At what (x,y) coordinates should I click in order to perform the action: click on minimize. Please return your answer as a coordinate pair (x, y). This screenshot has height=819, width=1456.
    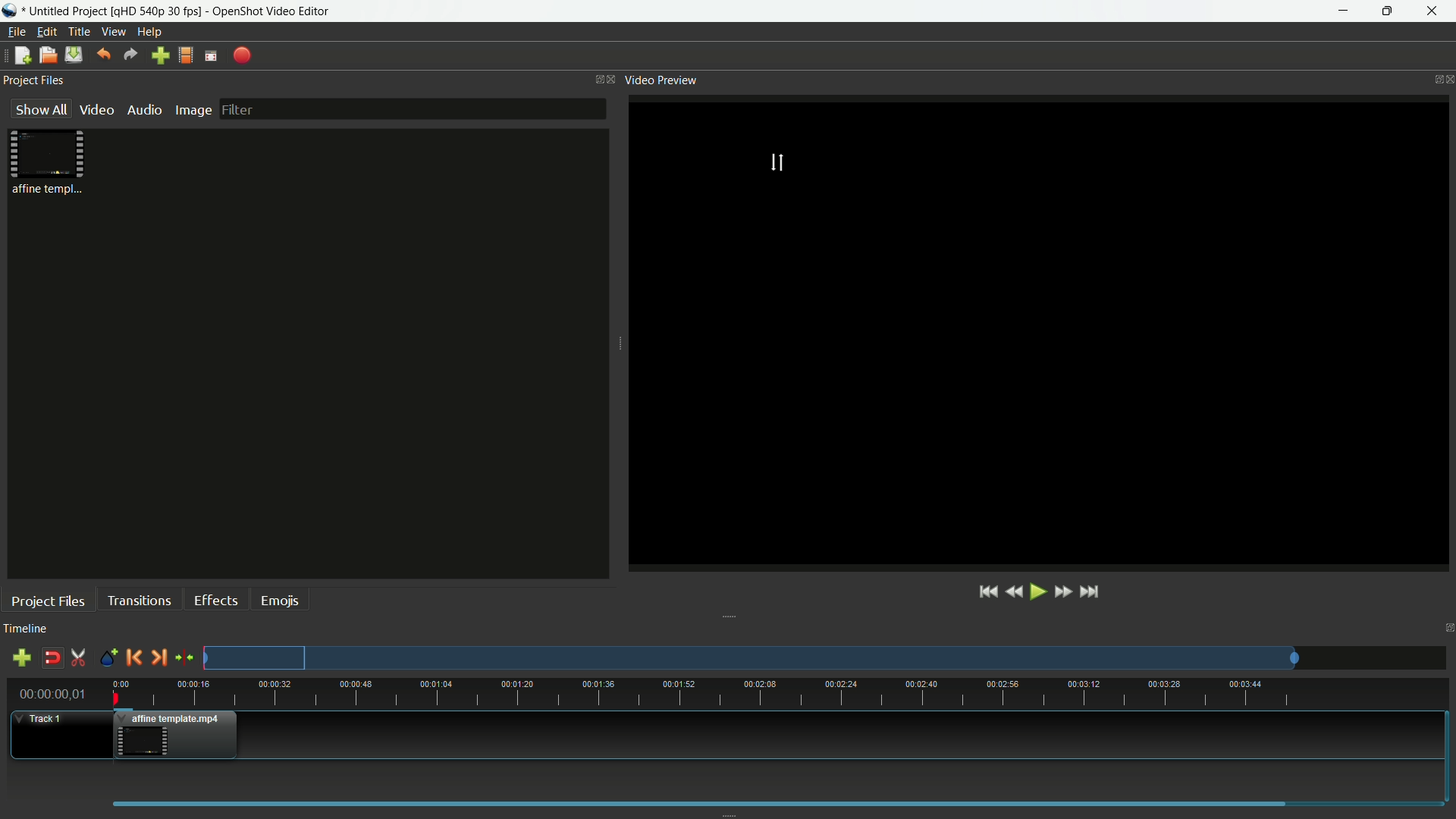
    Looking at the image, I should click on (1341, 11).